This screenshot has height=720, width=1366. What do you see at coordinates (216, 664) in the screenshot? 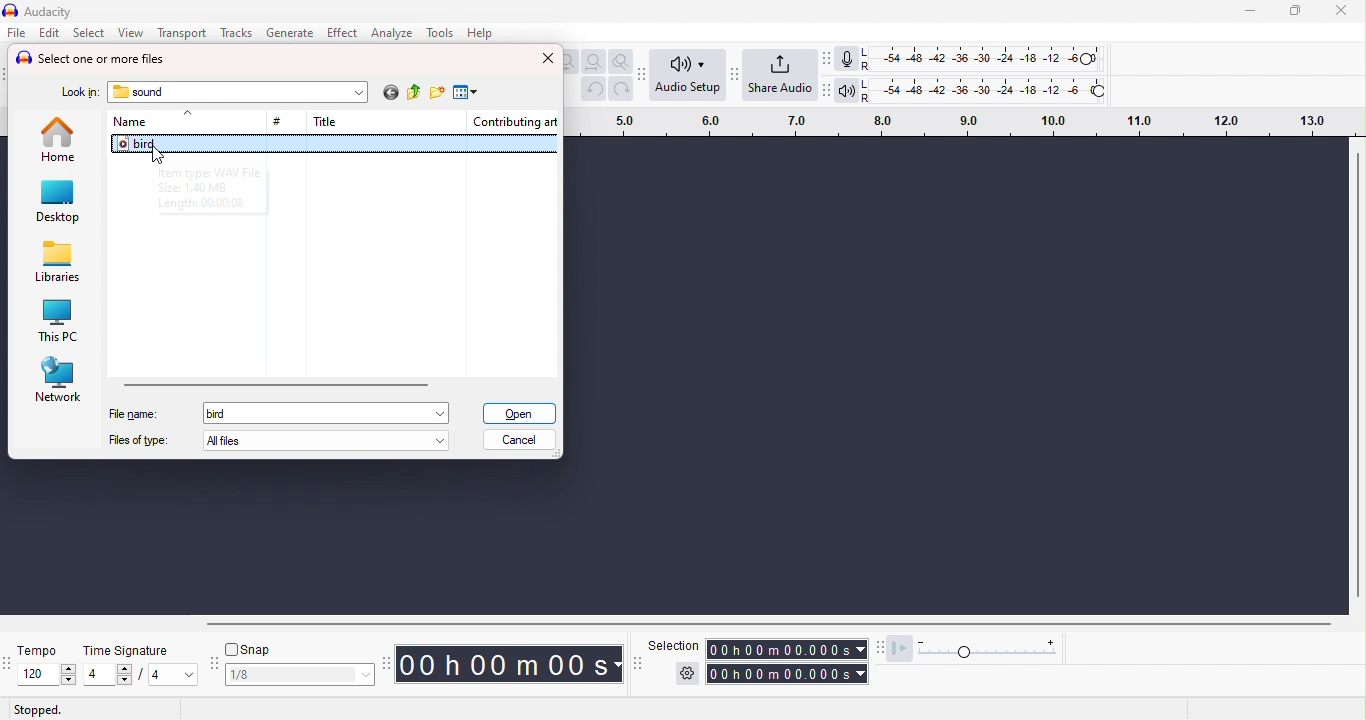
I see `snap tool bar` at bounding box center [216, 664].